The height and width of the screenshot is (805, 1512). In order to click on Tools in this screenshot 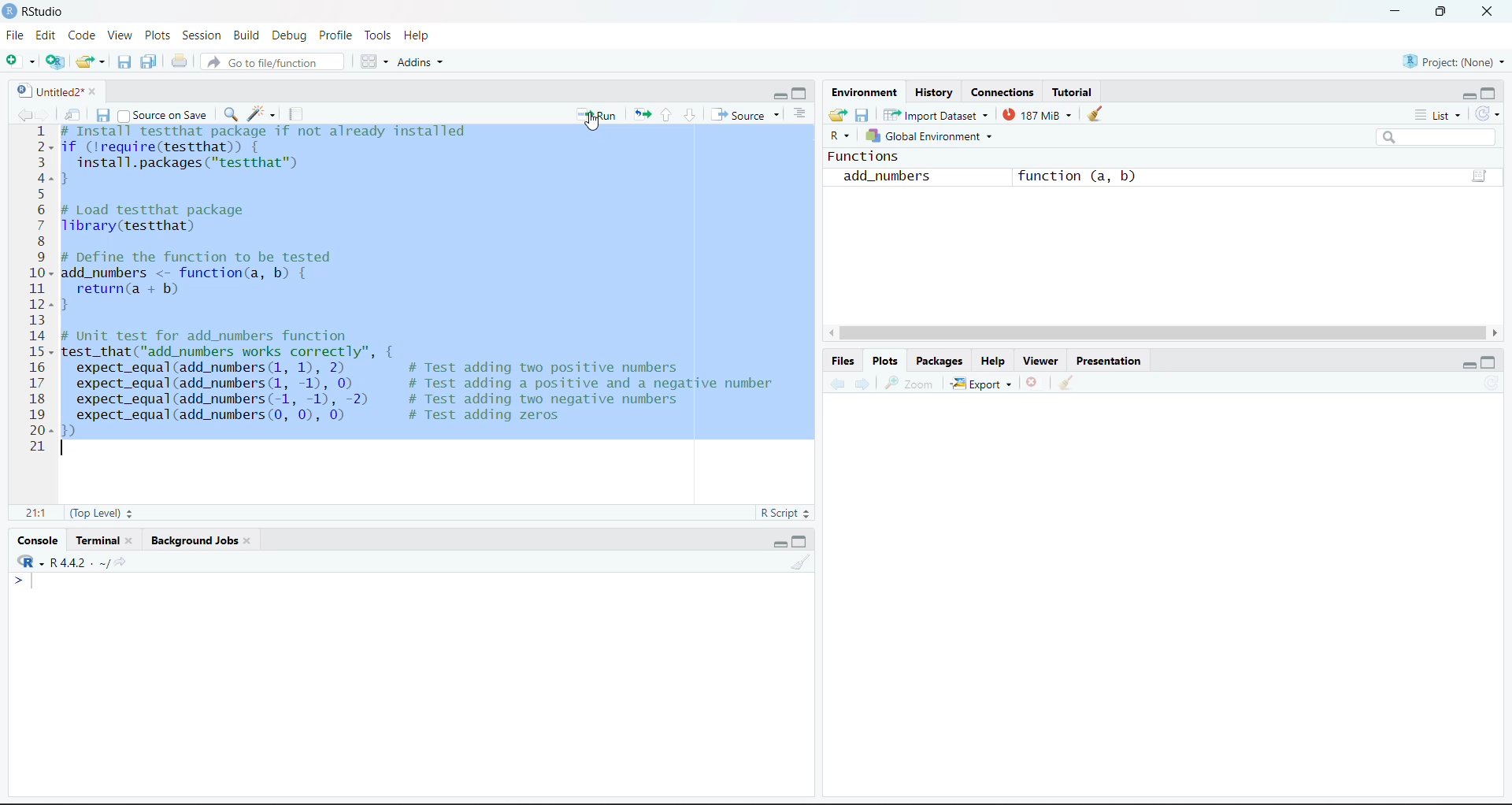, I will do `click(380, 33)`.